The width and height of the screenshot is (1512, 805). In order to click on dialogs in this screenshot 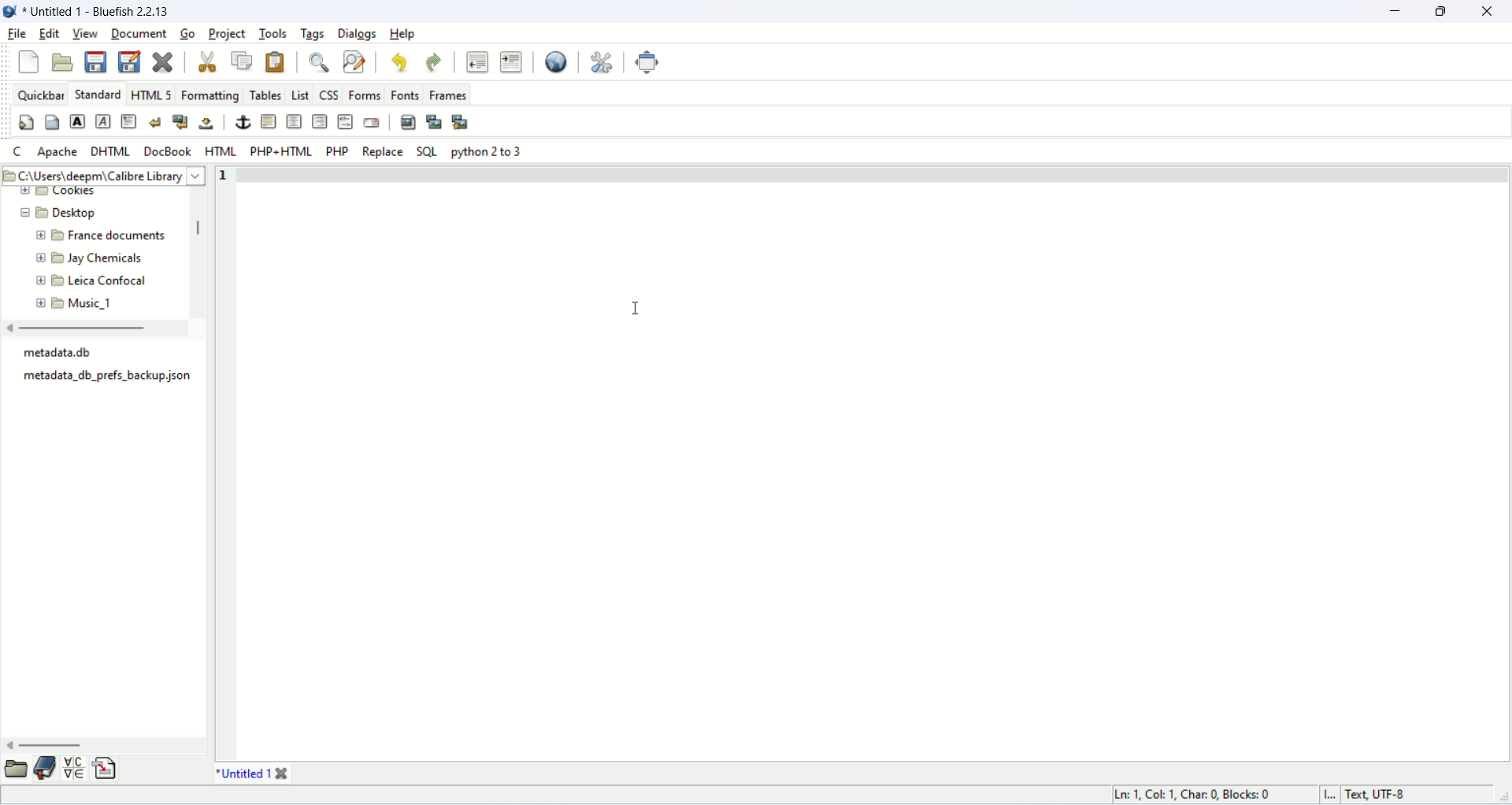, I will do `click(357, 33)`.